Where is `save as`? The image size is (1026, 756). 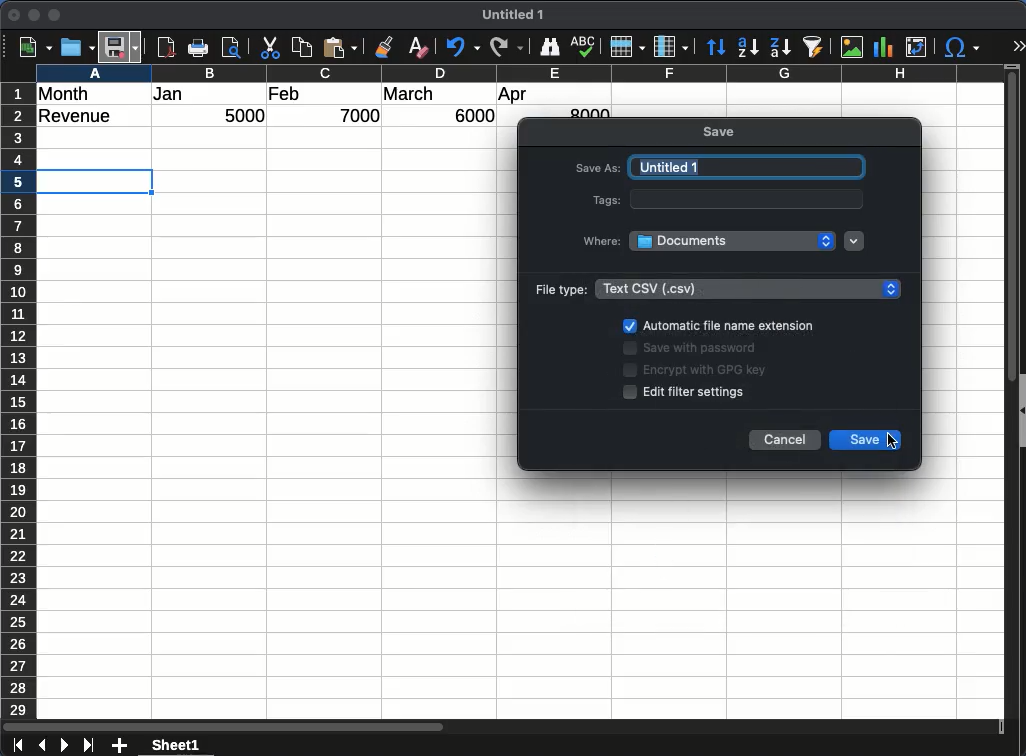
save as is located at coordinates (598, 170).